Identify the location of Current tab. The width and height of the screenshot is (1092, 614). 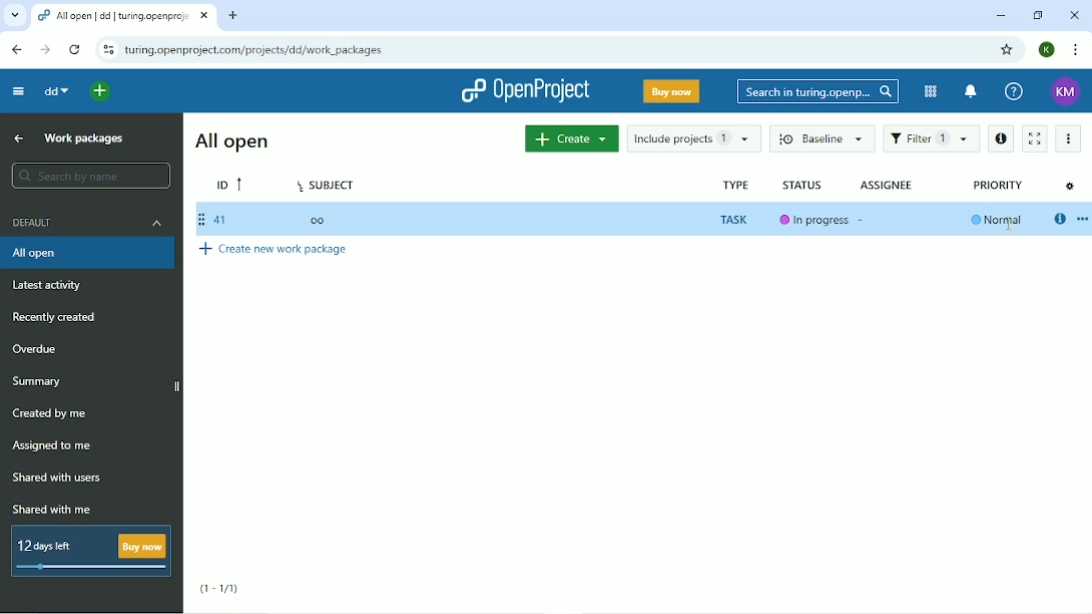
(123, 16).